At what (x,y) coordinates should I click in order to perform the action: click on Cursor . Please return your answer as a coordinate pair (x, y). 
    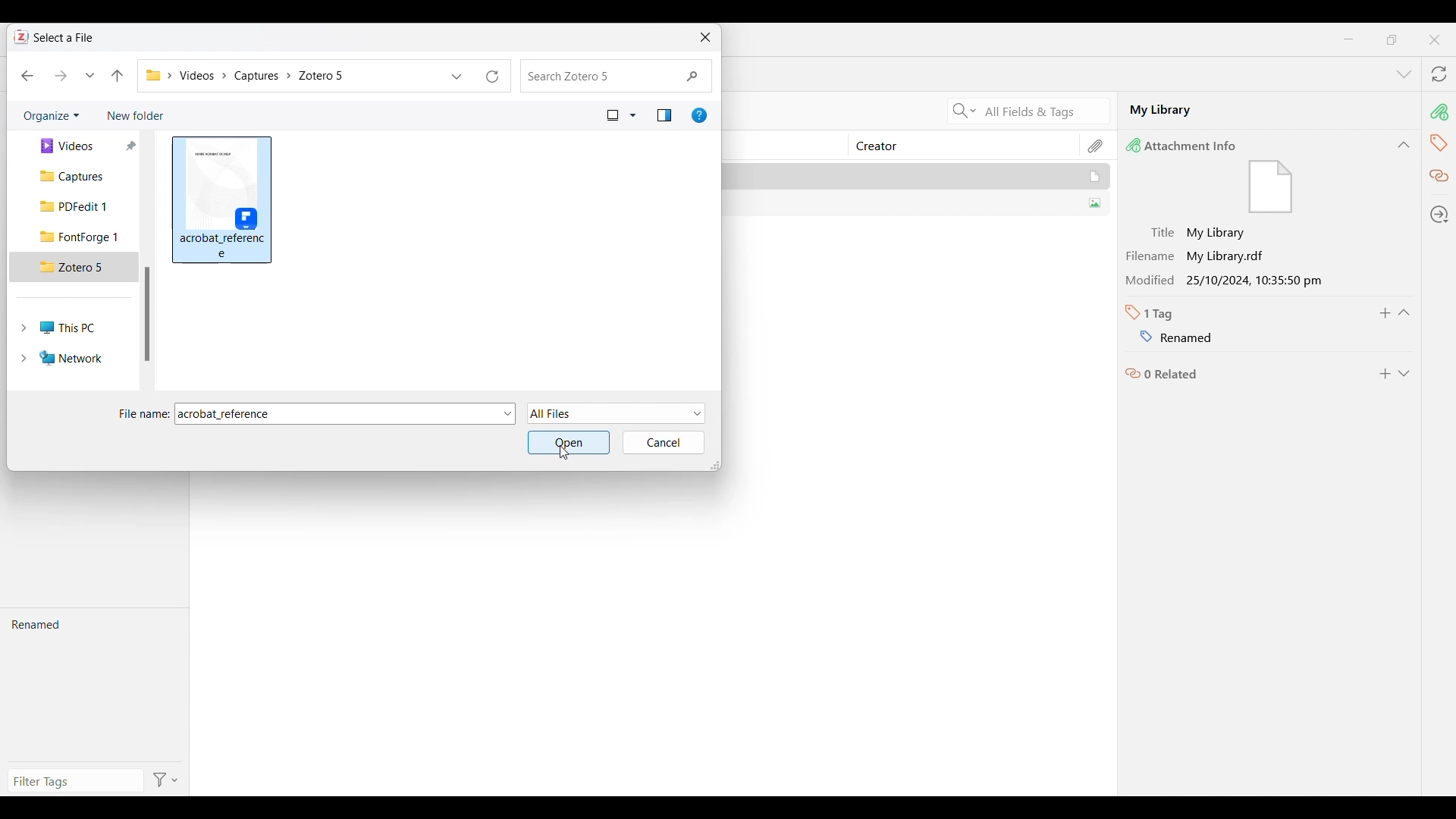
    Looking at the image, I should click on (564, 453).